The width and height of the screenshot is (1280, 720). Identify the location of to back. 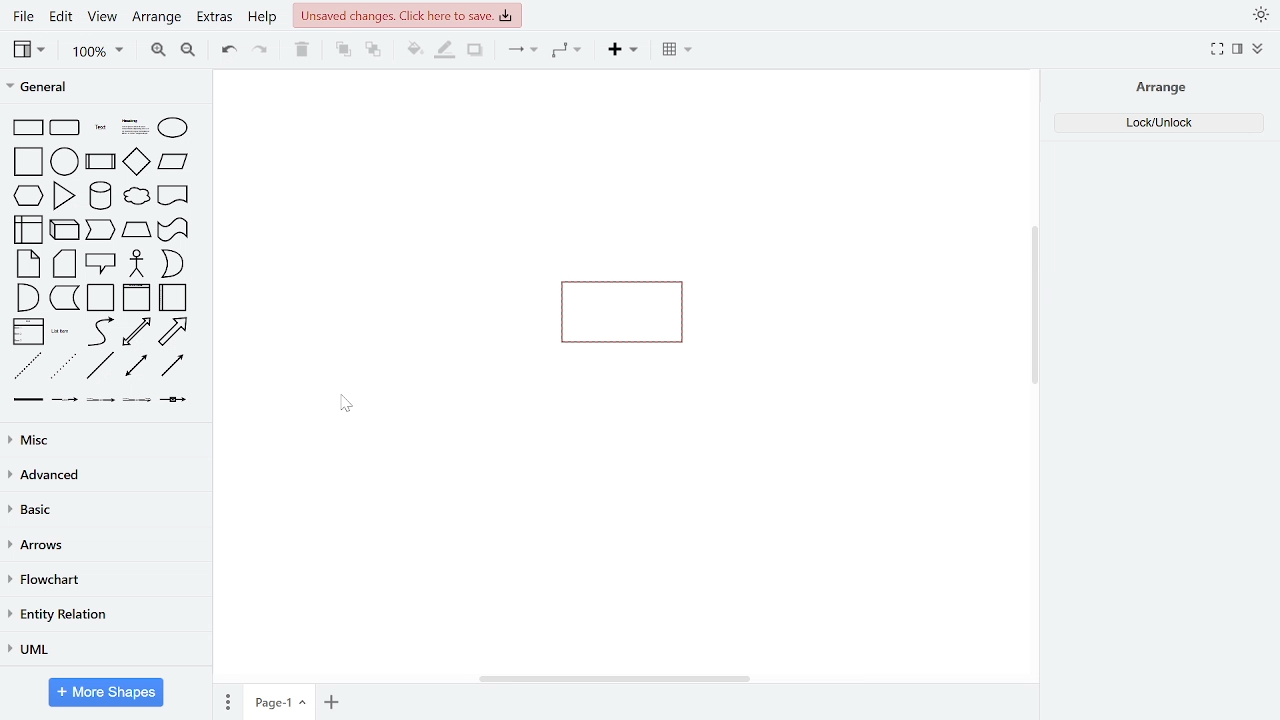
(373, 50).